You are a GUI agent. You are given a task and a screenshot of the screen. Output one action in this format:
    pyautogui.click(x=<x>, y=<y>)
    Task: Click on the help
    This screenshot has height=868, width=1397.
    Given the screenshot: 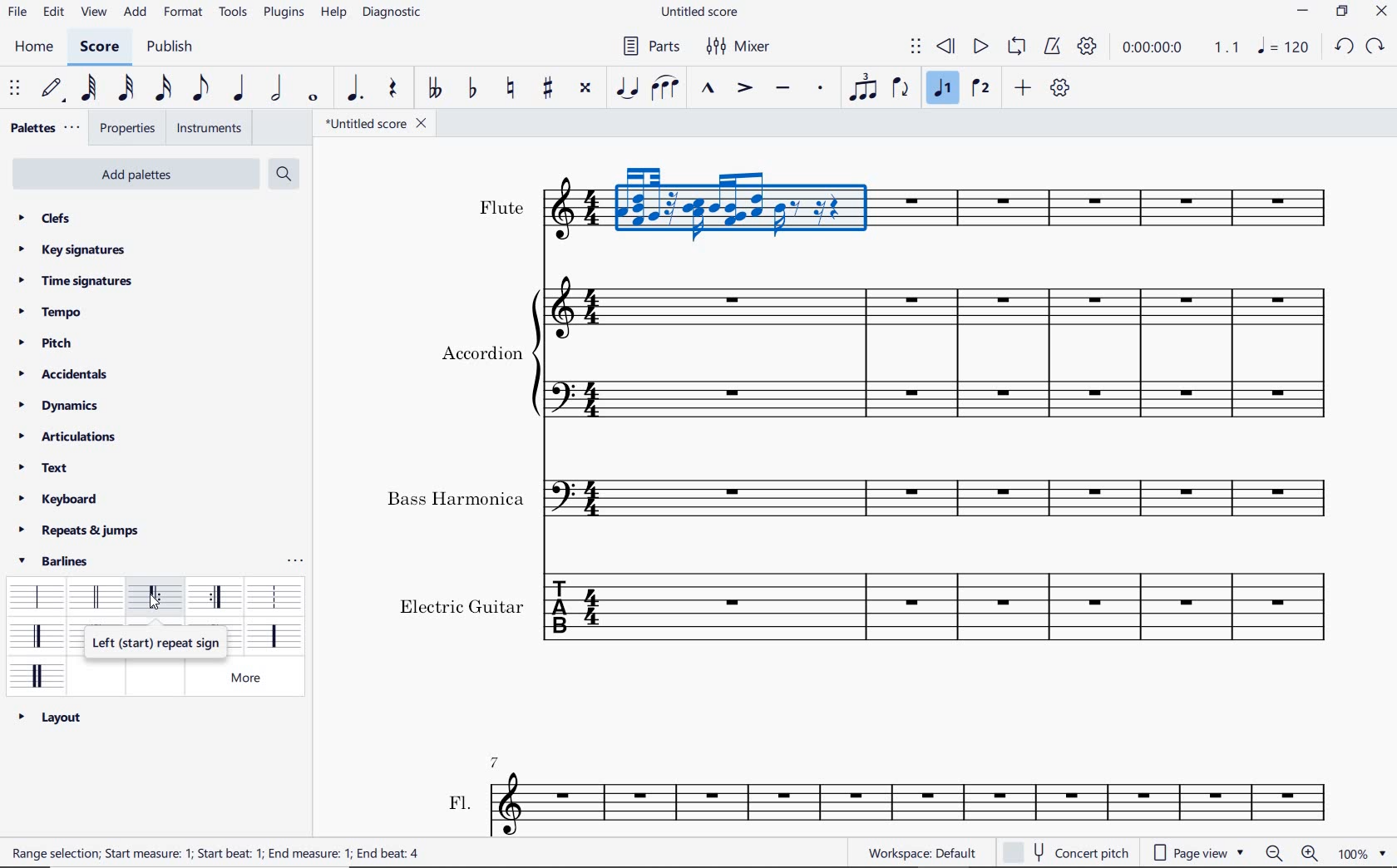 What is the action you would take?
    pyautogui.click(x=333, y=13)
    